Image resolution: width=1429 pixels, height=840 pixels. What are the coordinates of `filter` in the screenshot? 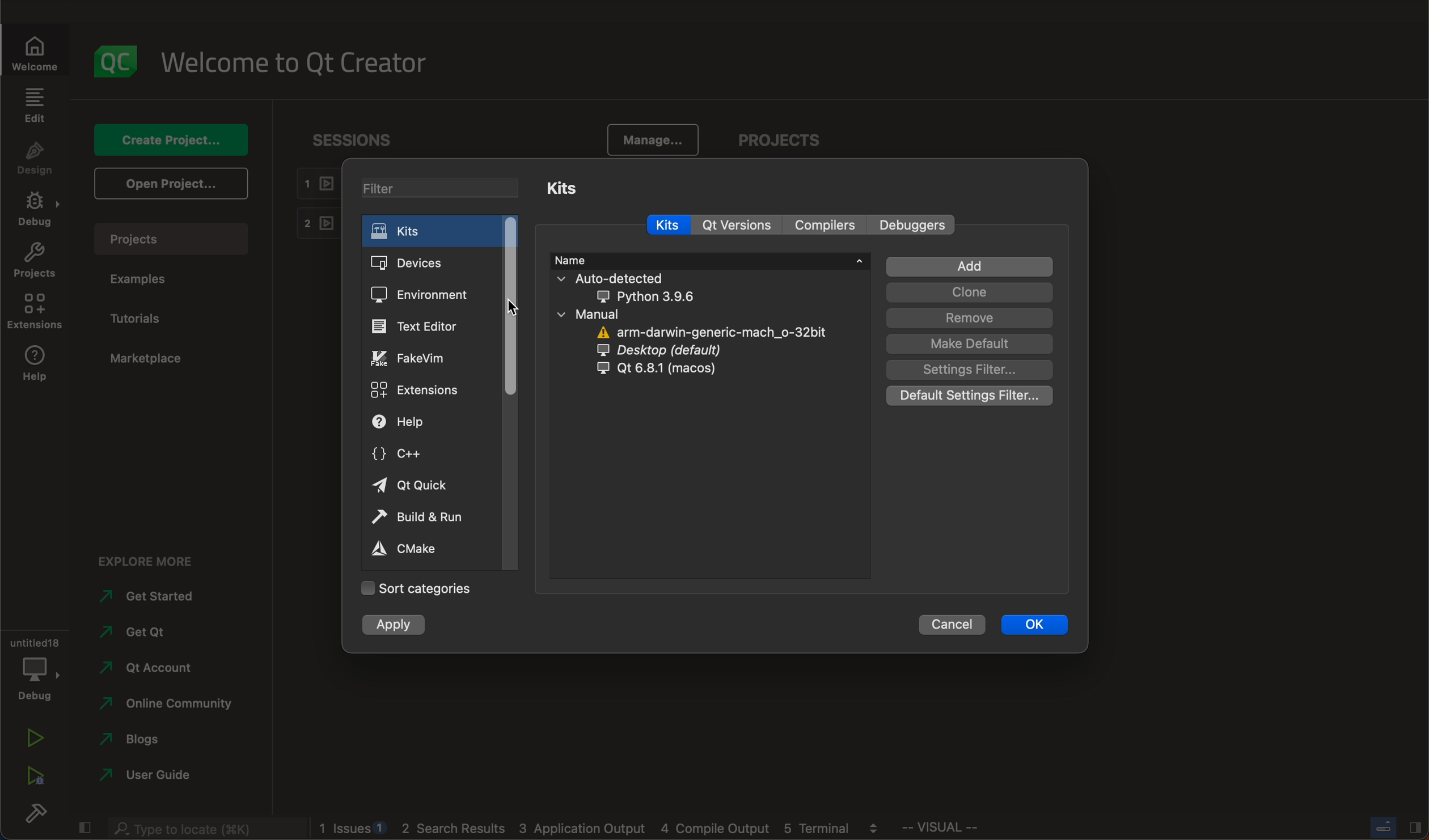 It's located at (429, 185).